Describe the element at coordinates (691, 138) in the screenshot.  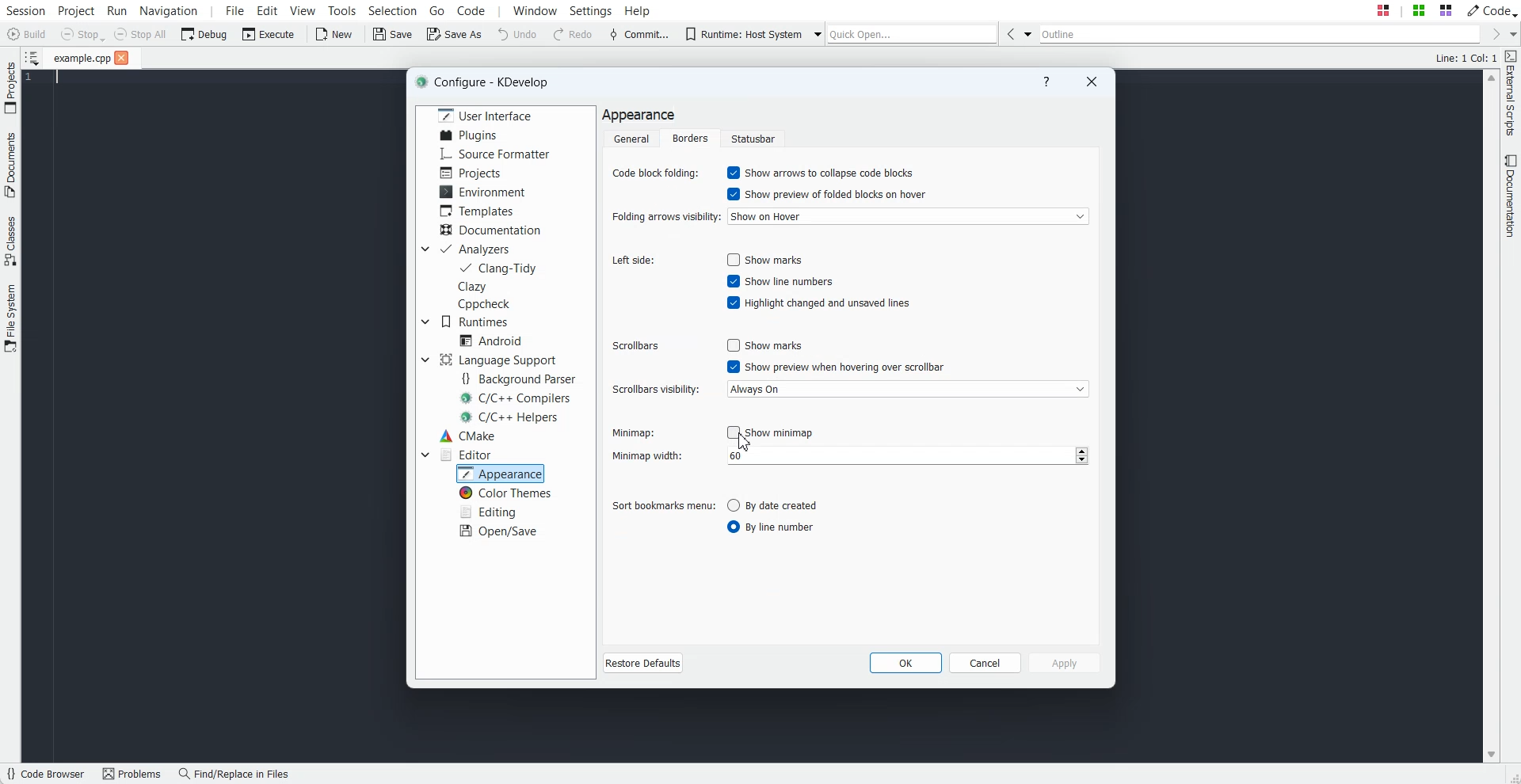
I see `Borders` at that location.